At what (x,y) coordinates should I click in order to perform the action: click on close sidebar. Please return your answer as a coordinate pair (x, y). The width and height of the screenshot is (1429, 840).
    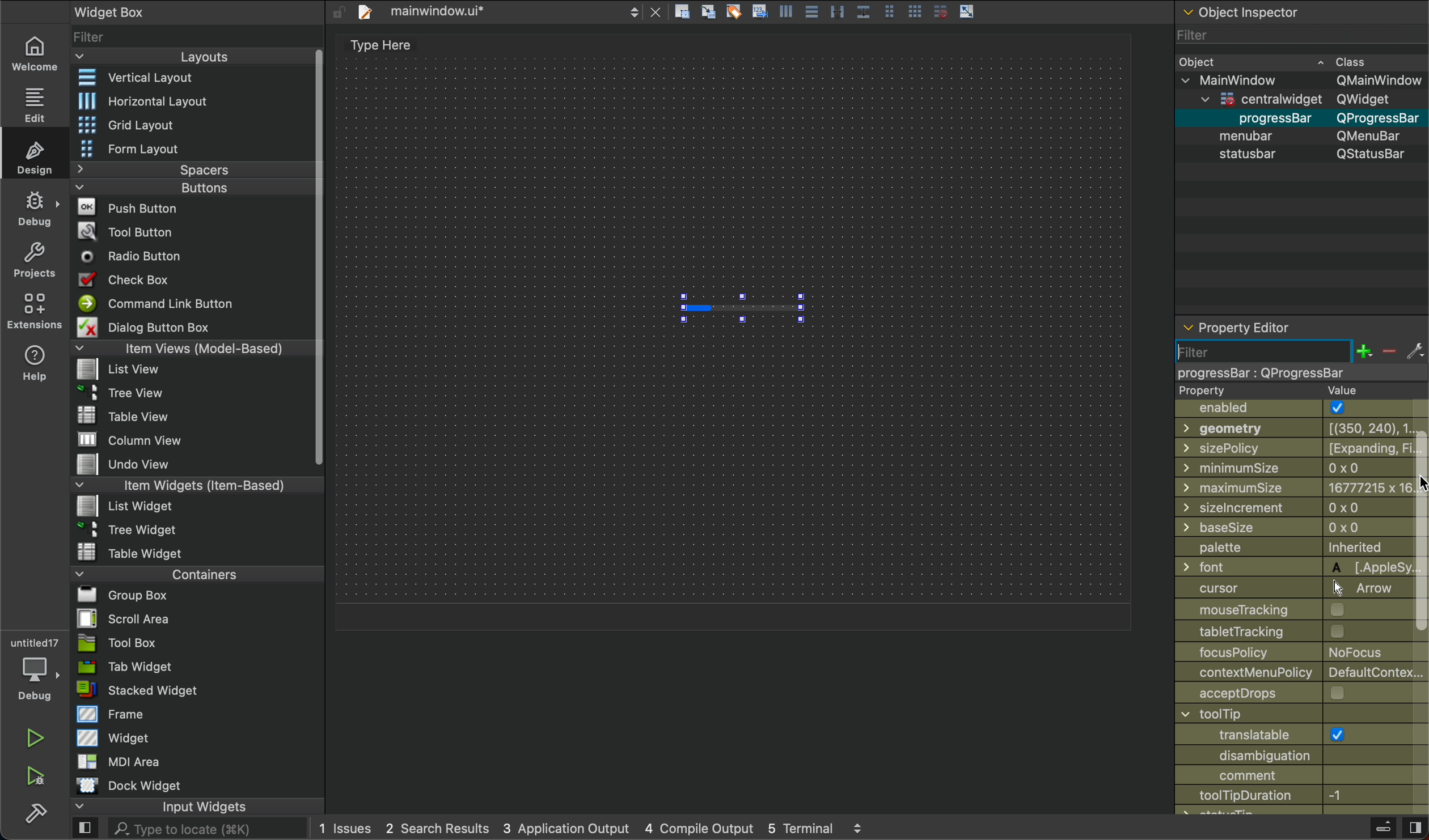
    Looking at the image, I should click on (1414, 828).